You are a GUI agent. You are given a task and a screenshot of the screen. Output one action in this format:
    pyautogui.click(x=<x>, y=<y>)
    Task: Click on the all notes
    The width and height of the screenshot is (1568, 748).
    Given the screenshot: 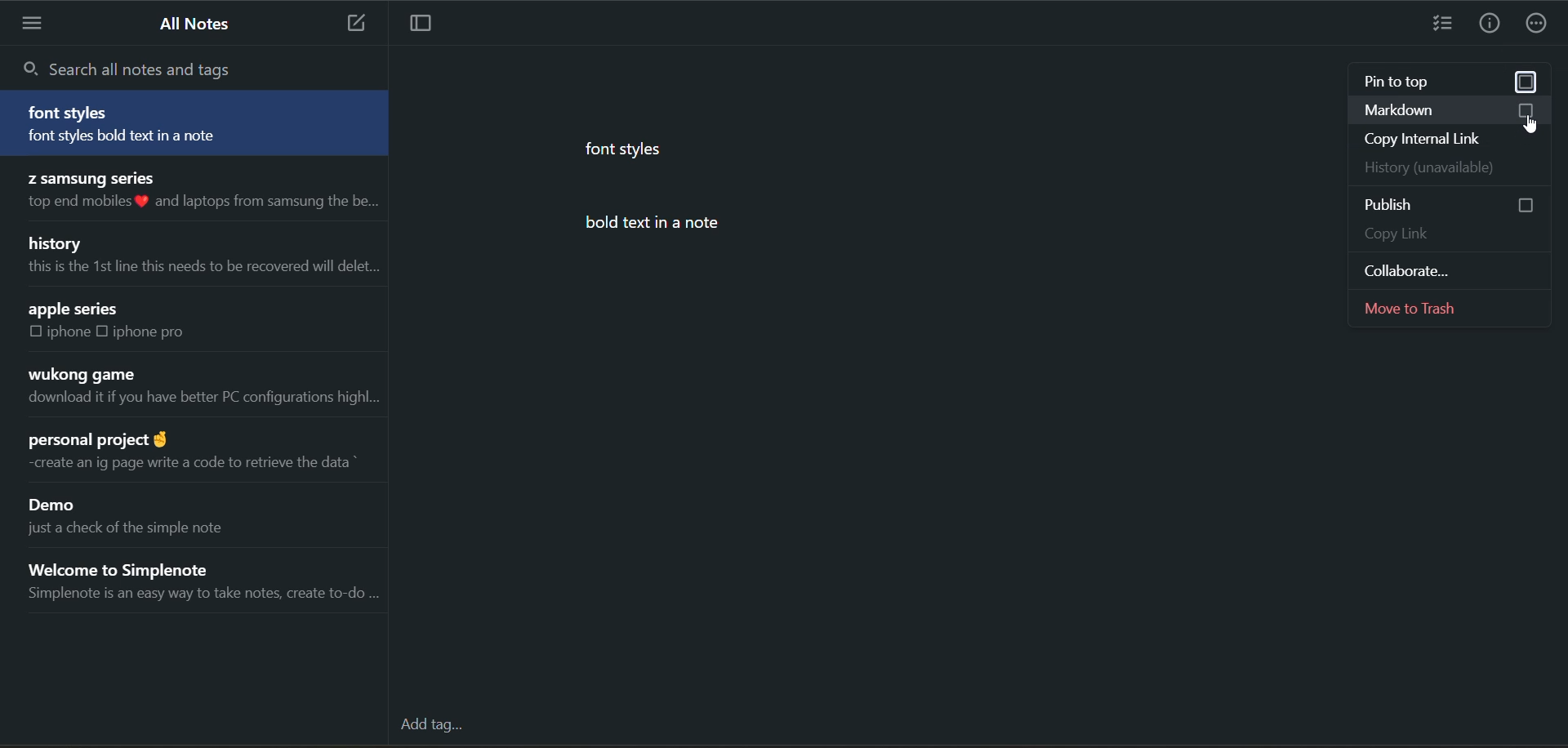 What is the action you would take?
    pyautogui.click(x=198, y=24)
    